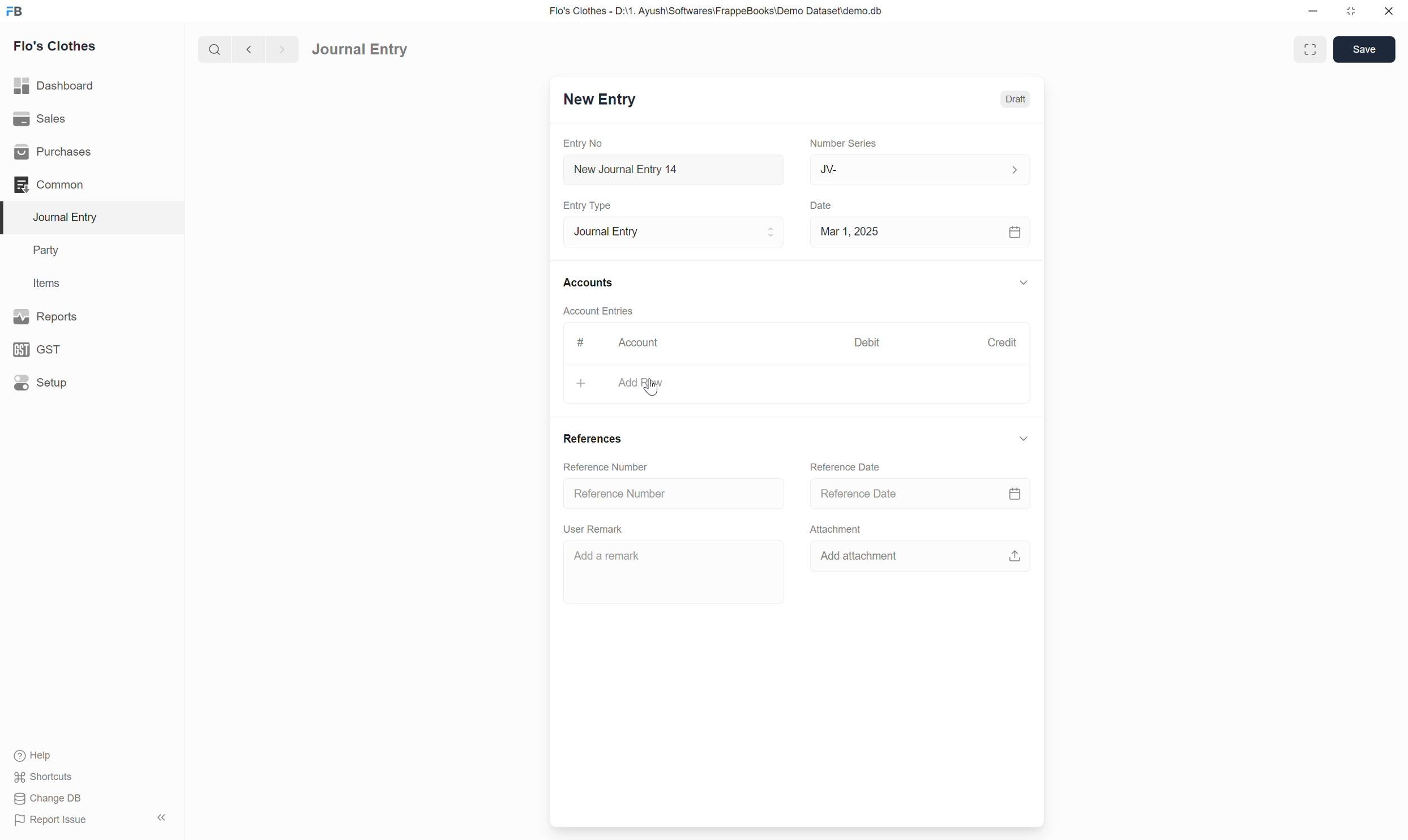 This screenshot has height=840, width=1408. What do you see at coordinates (1349, 11) in the screenshot?
I see `resize` at bounding box center [1349, 11].